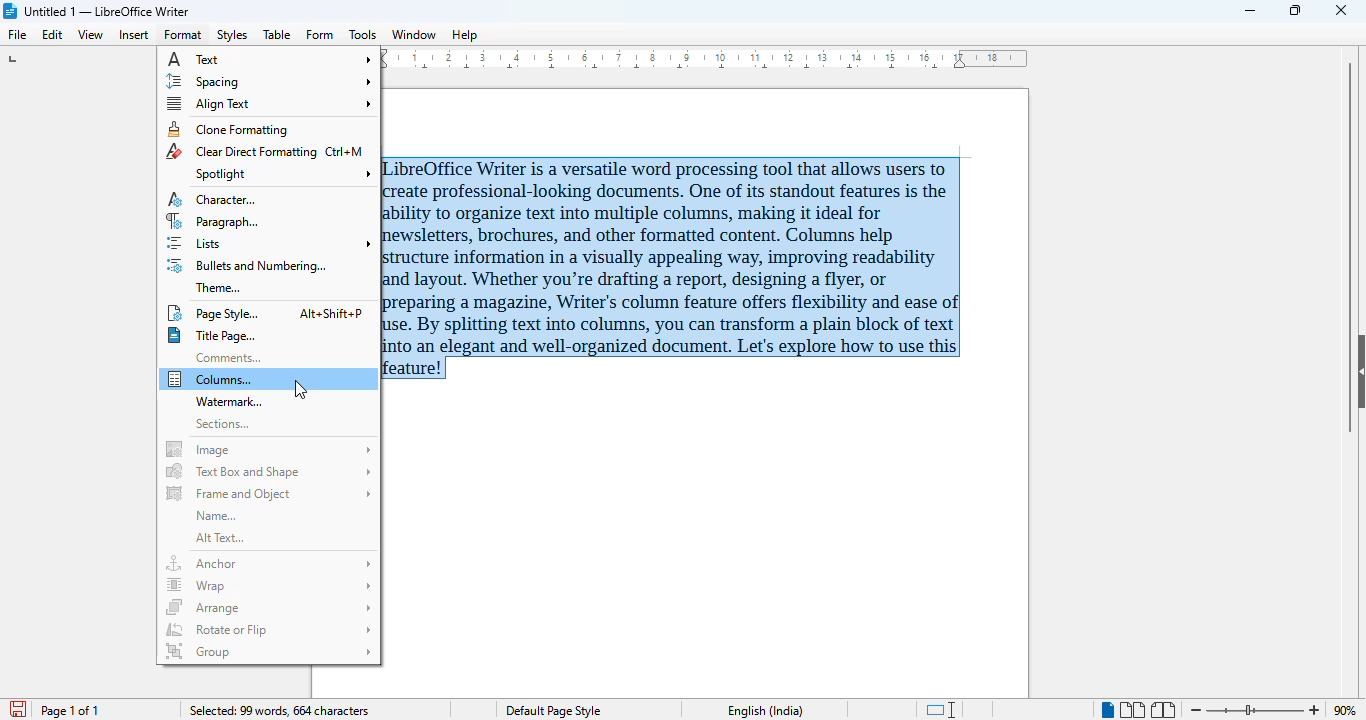  I want to click on save document, so click(16, 706).